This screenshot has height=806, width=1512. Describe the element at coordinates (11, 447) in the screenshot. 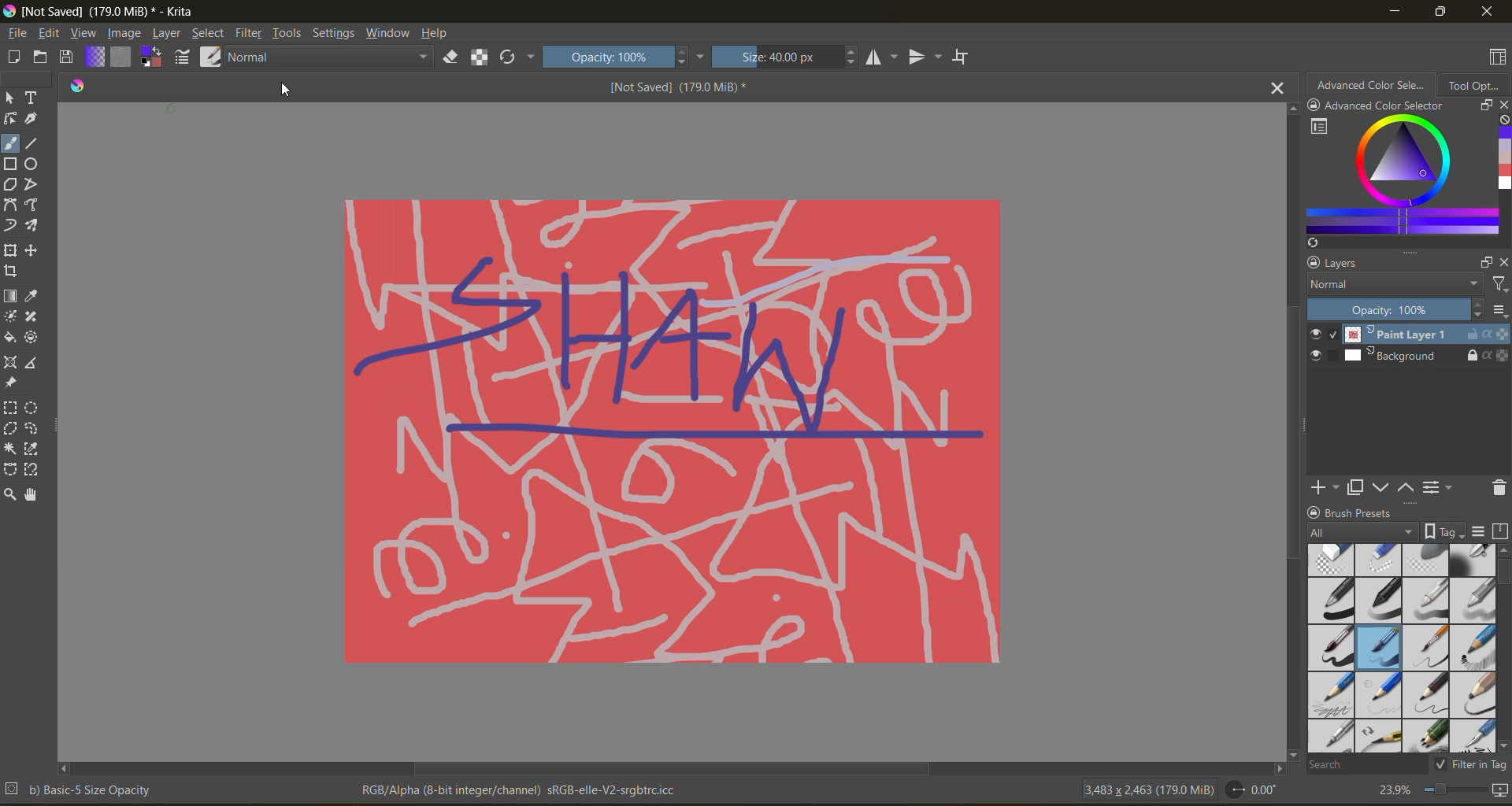

I see `contiguous selection tool` at that location.